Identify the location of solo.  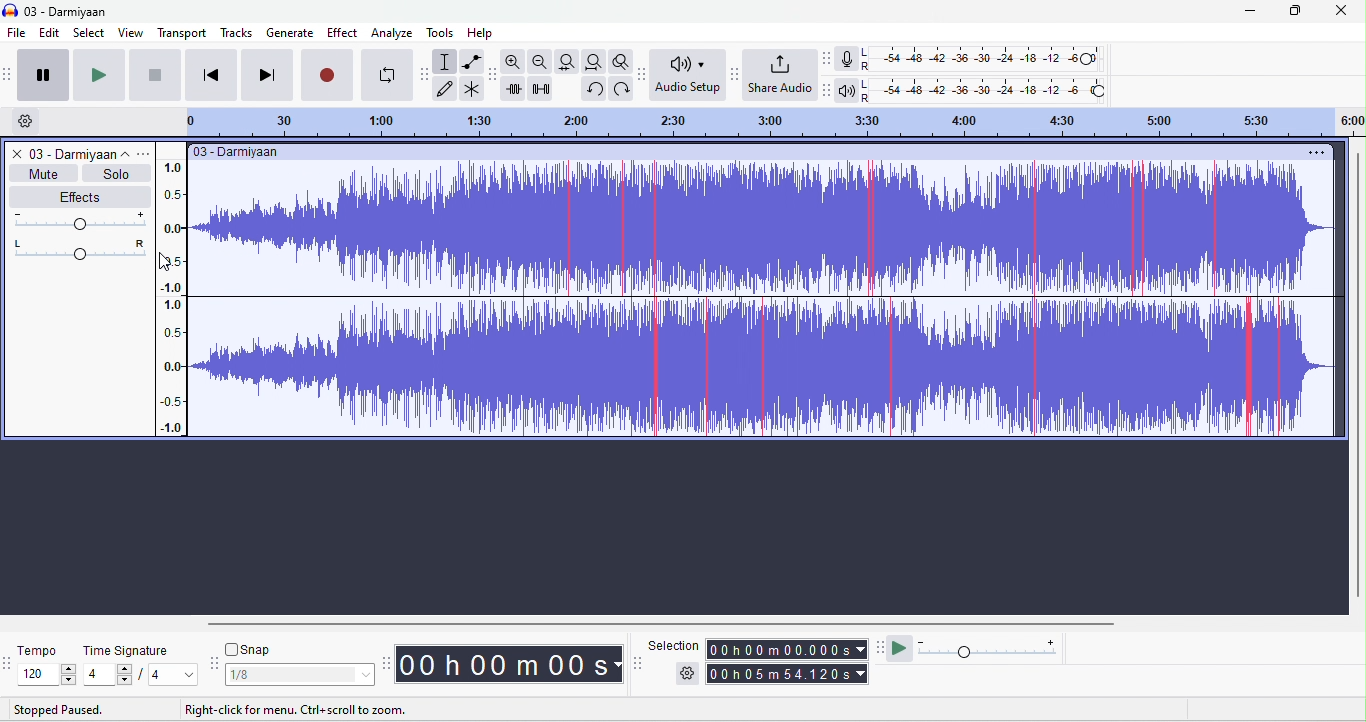
(117, 174).